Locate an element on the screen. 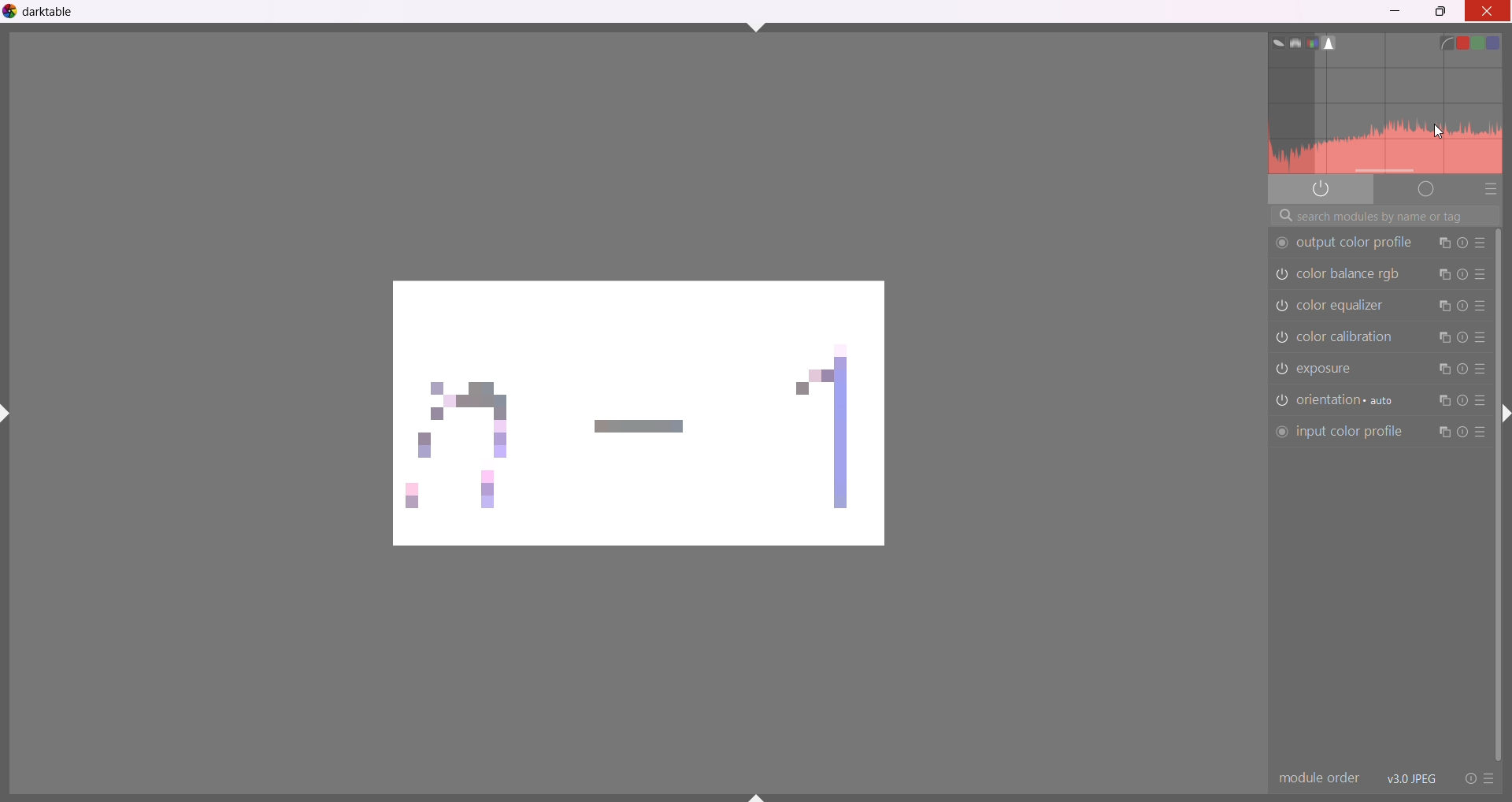 The height and width of the screenshot is (802, 1512). shift+ctrl+b is located at coordinates (758, 796).